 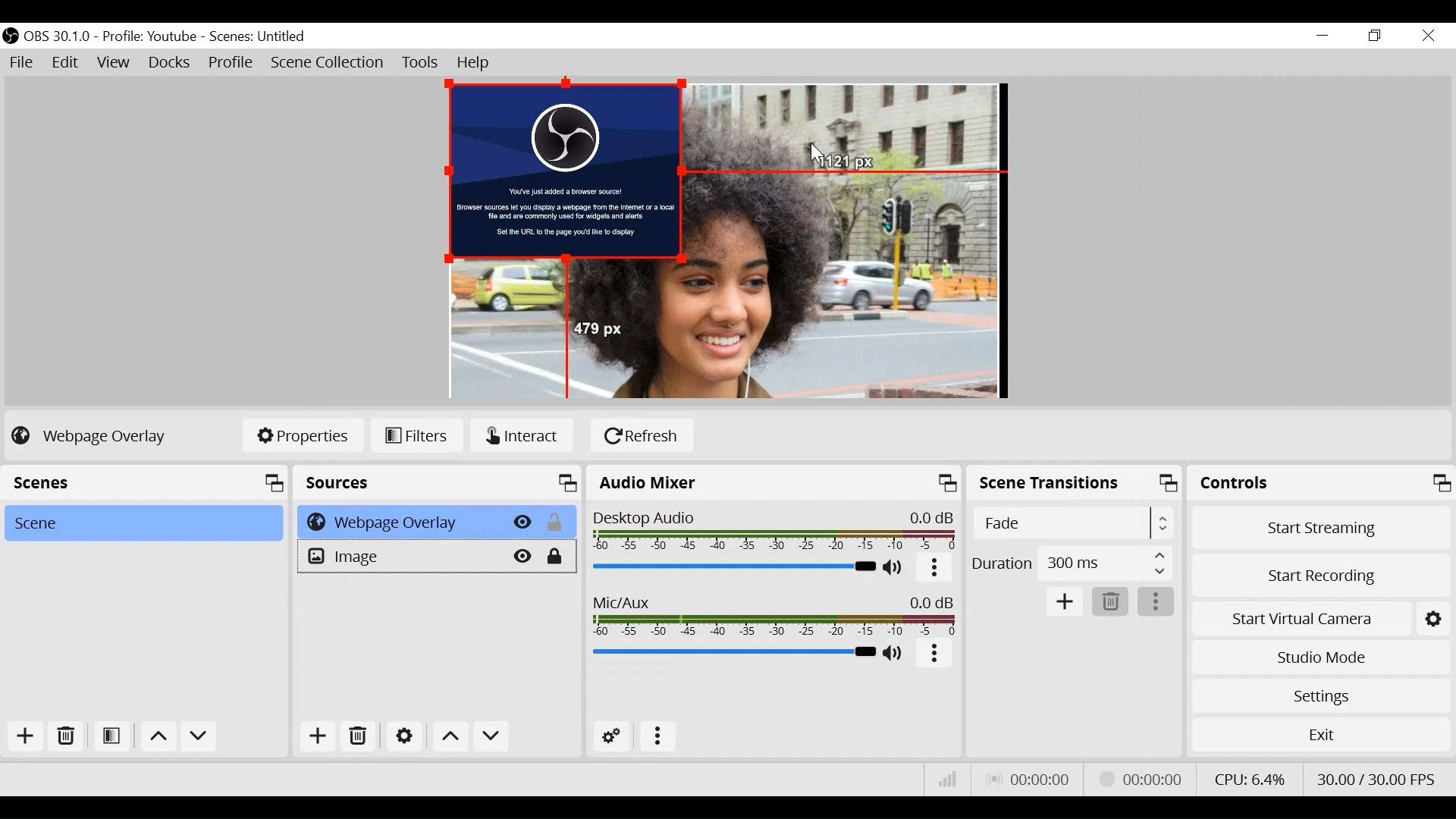 I want to click on Start Virtual Camera, so click(x=1300, y=620).